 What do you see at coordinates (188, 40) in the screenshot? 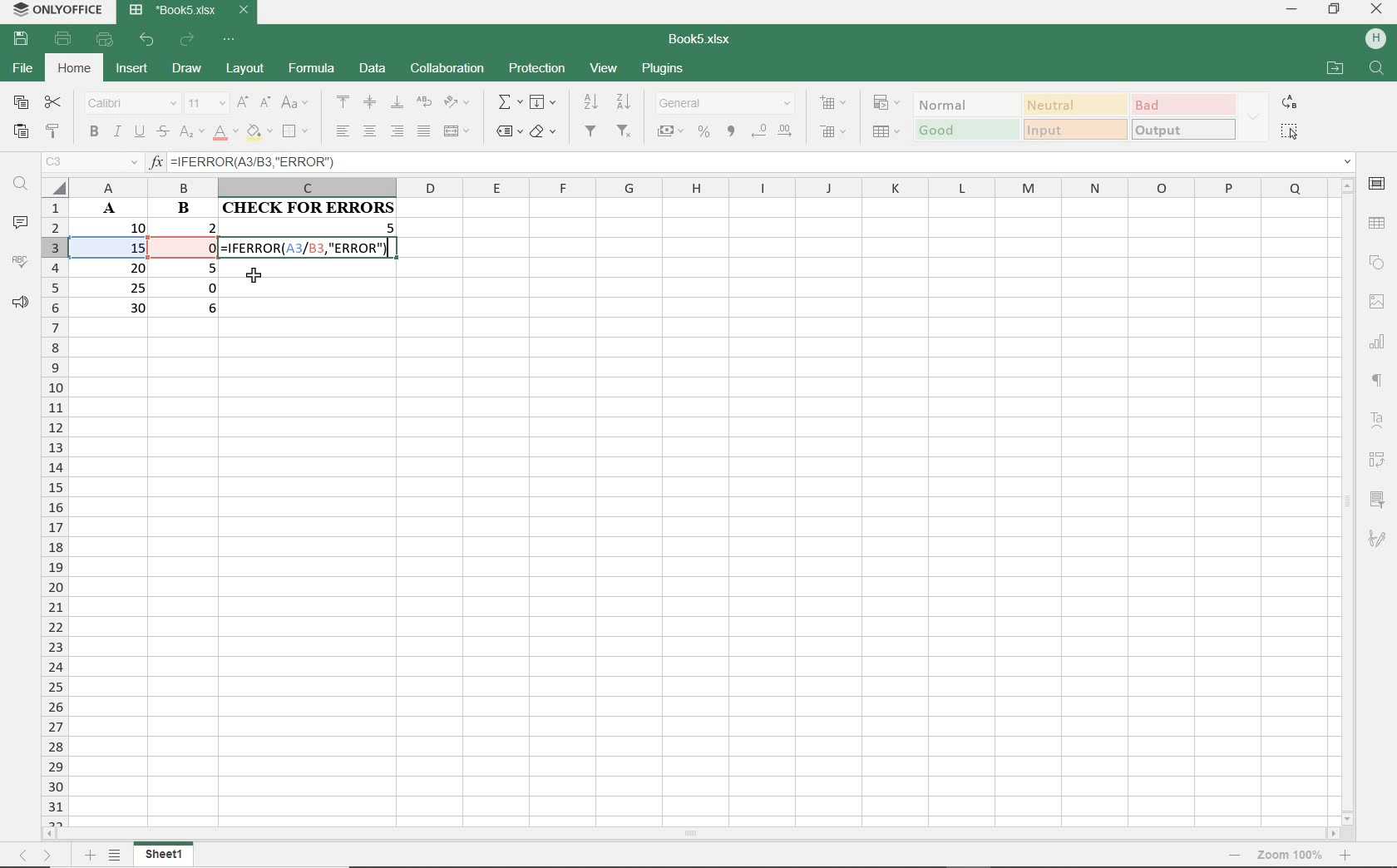
I see `REDO` at bounding box center [188, 40].